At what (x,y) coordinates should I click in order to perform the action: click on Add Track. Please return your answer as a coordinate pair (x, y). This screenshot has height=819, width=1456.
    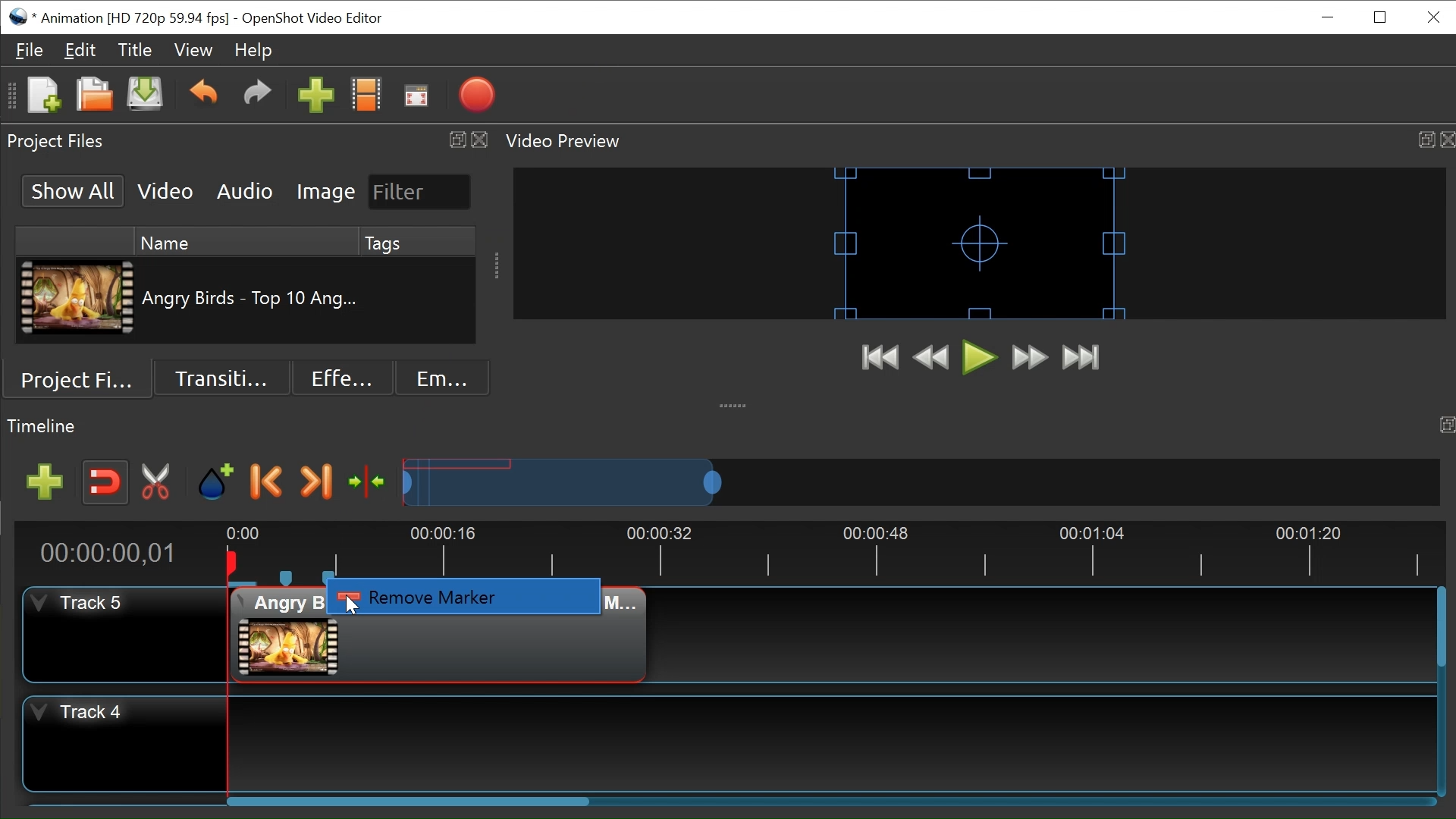
    Looking at the image, I should click on (45, 482).